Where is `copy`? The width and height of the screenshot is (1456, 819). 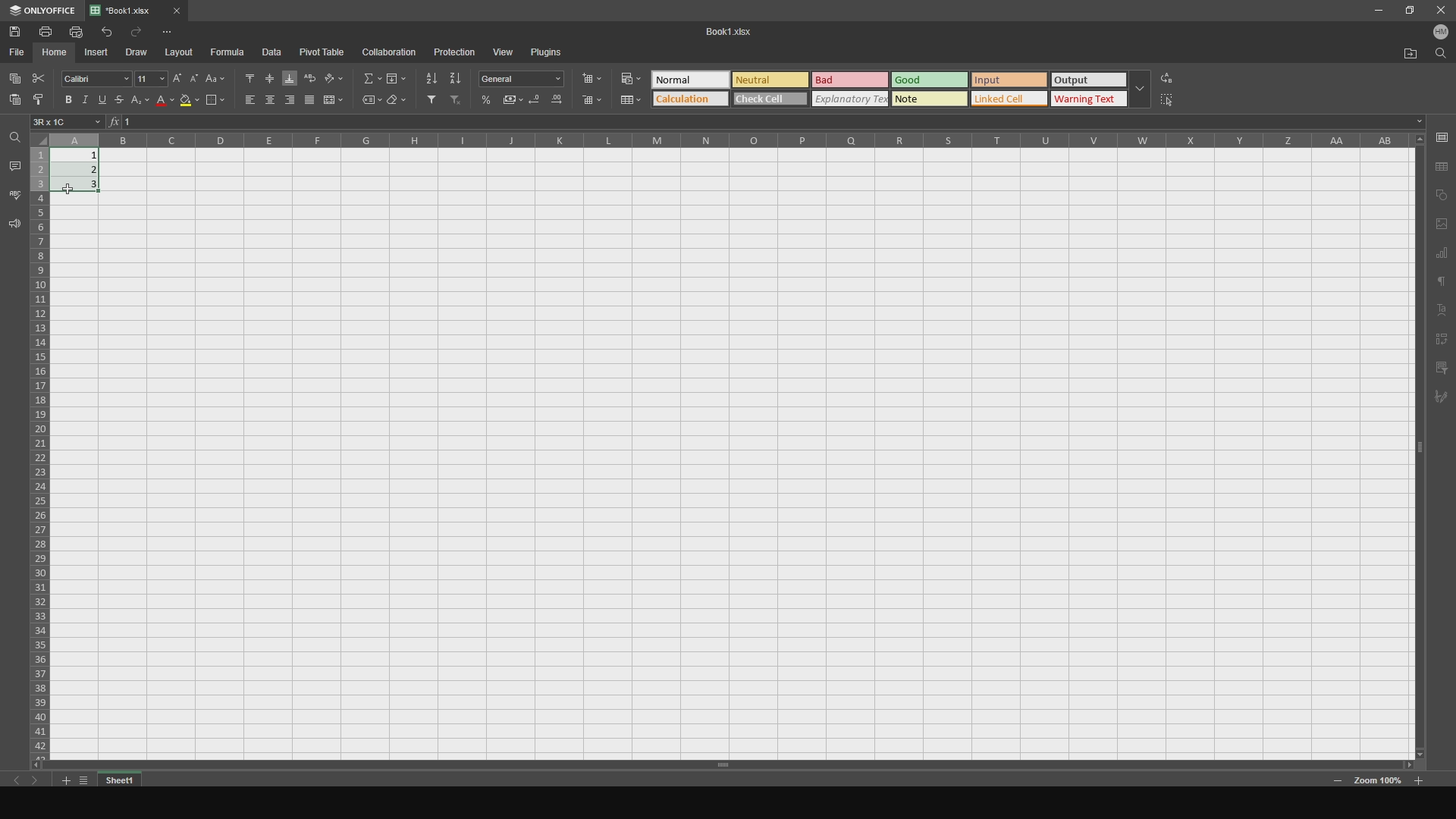 copy is located at coordinates (14, 76).